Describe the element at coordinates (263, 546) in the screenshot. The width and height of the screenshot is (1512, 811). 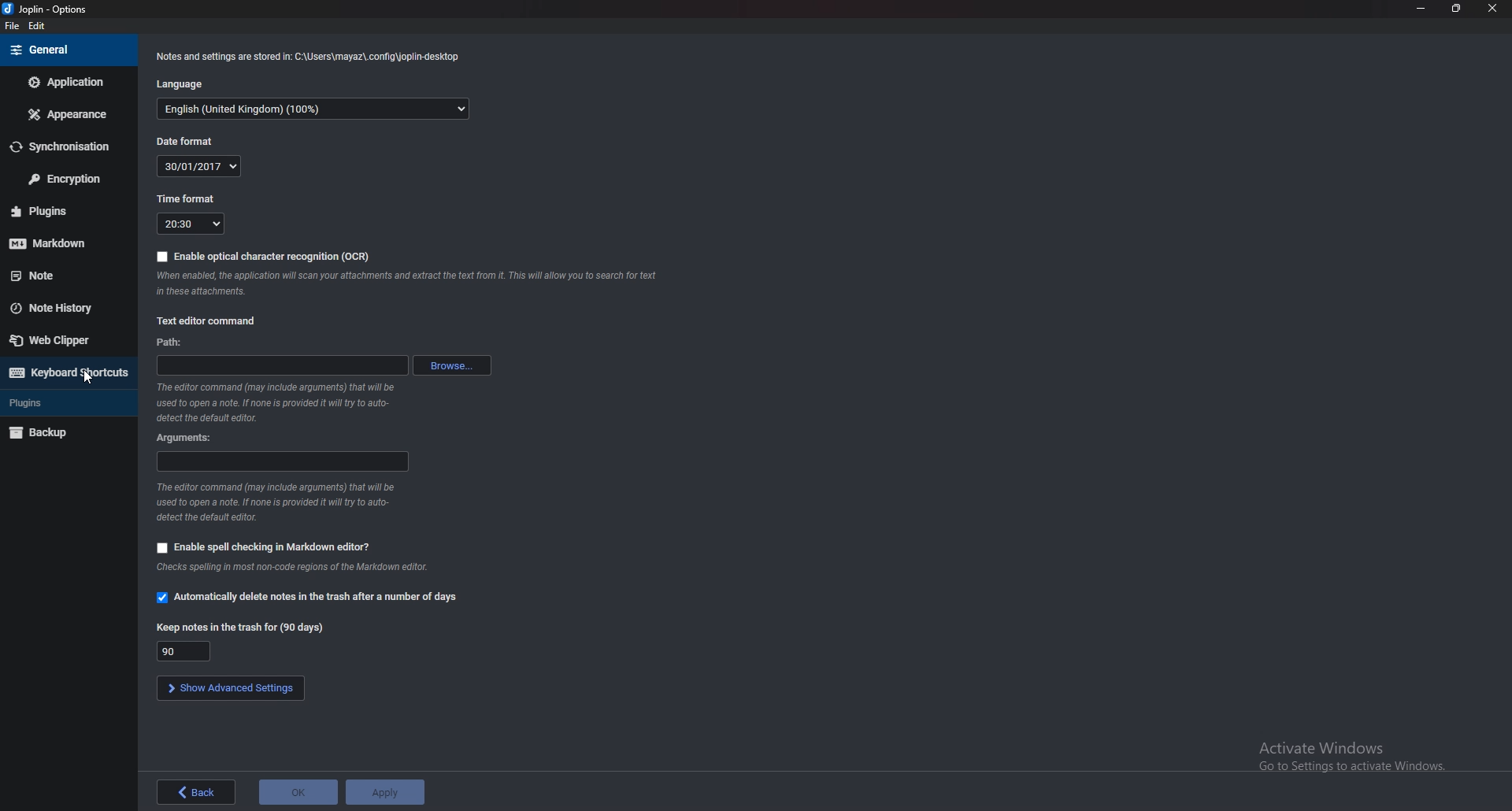
I see `Enable spell checking` at that location.